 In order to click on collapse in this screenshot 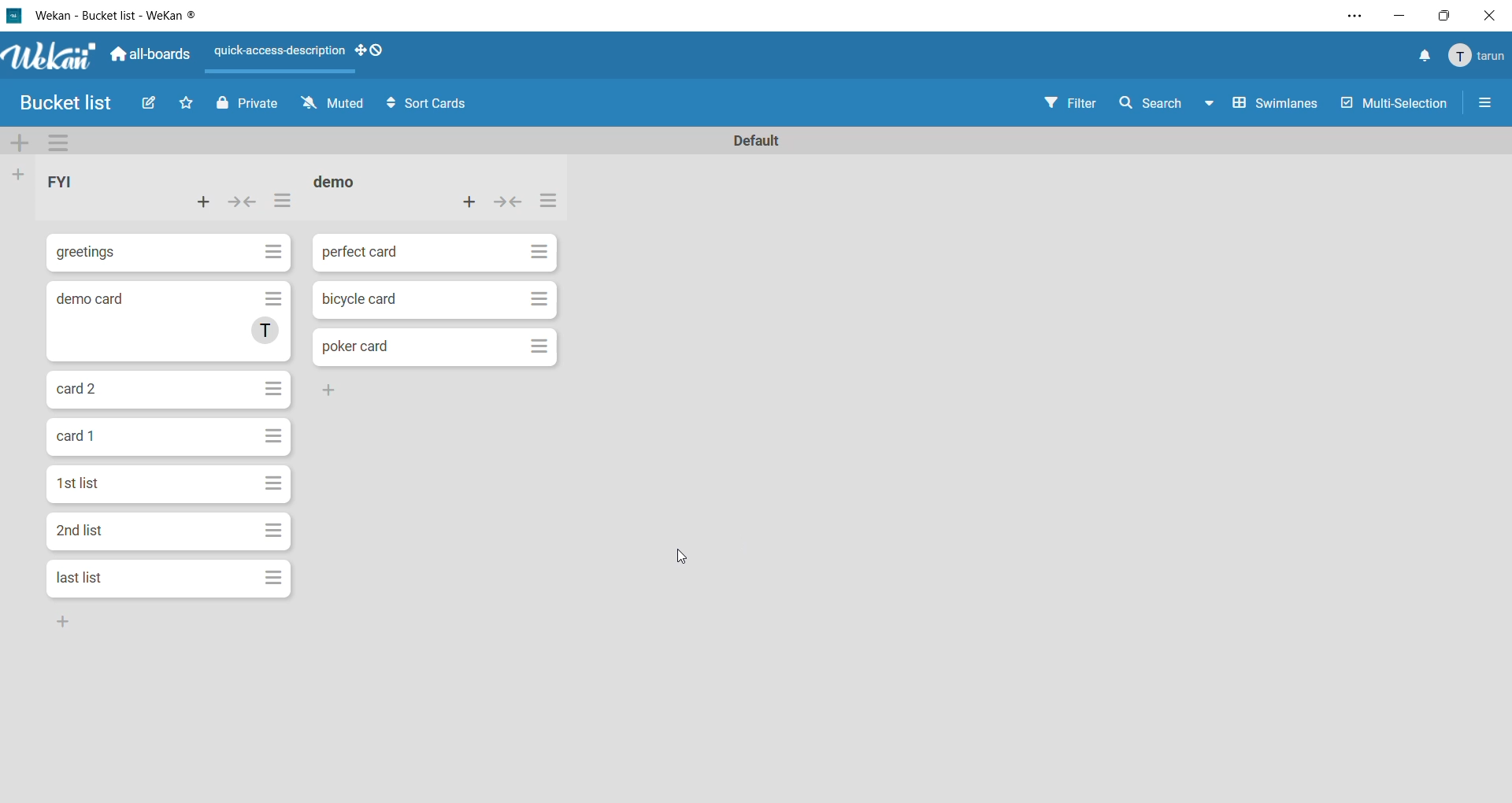, I will do `click(506, 202)`.